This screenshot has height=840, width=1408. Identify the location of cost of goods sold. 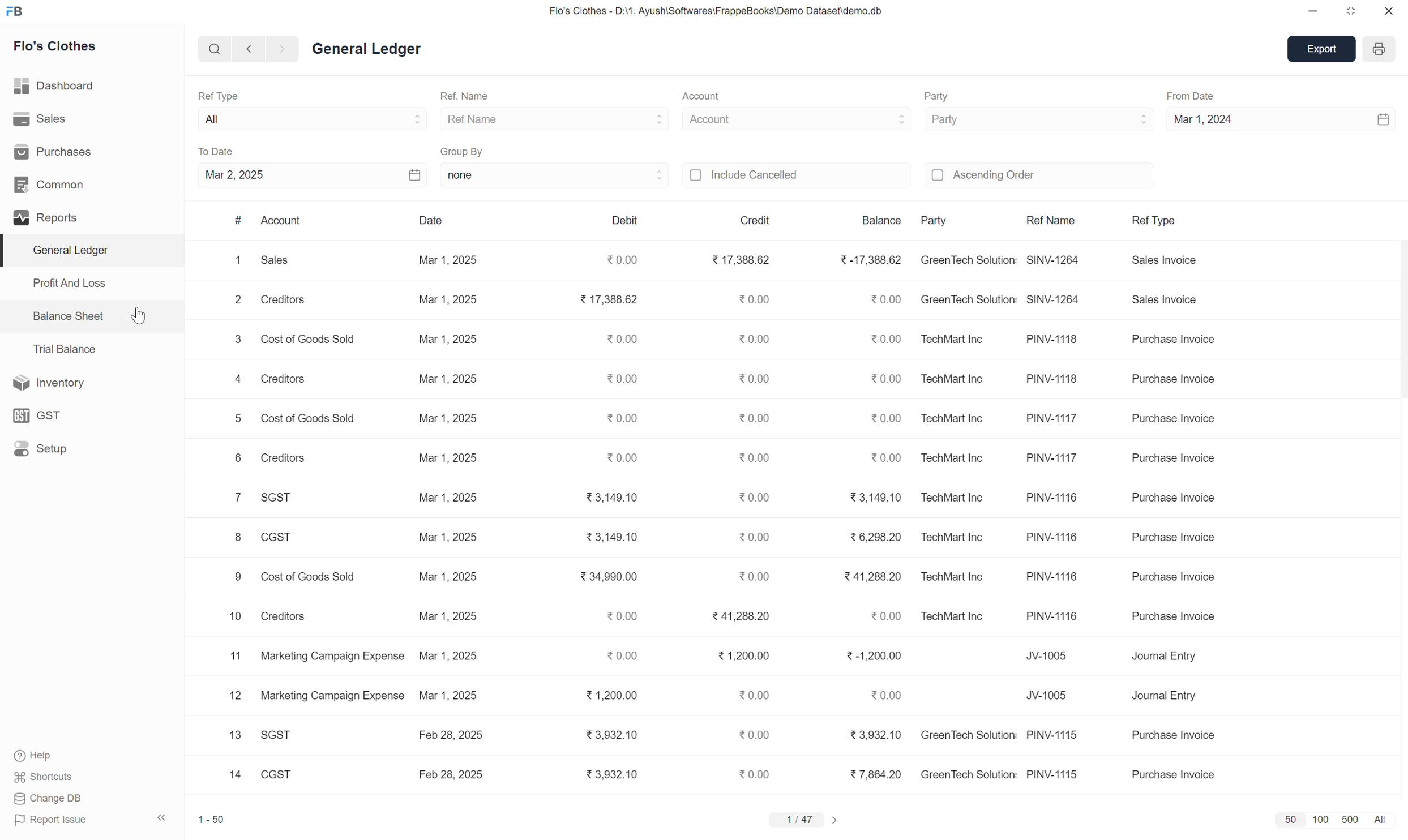
(315, 418).